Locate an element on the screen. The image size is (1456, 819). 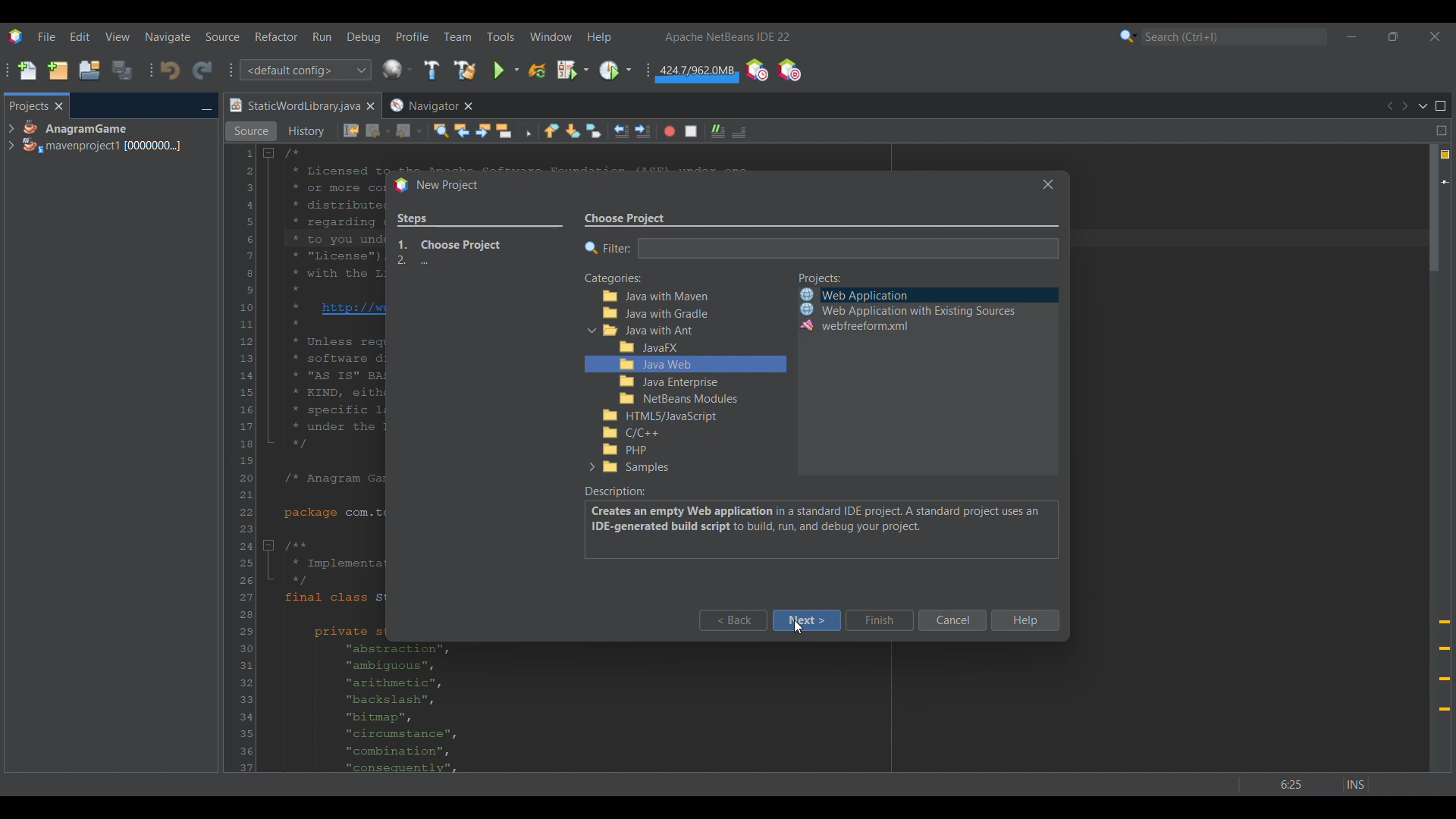
Selected project highlighted is located at coordinates (1037, 294).